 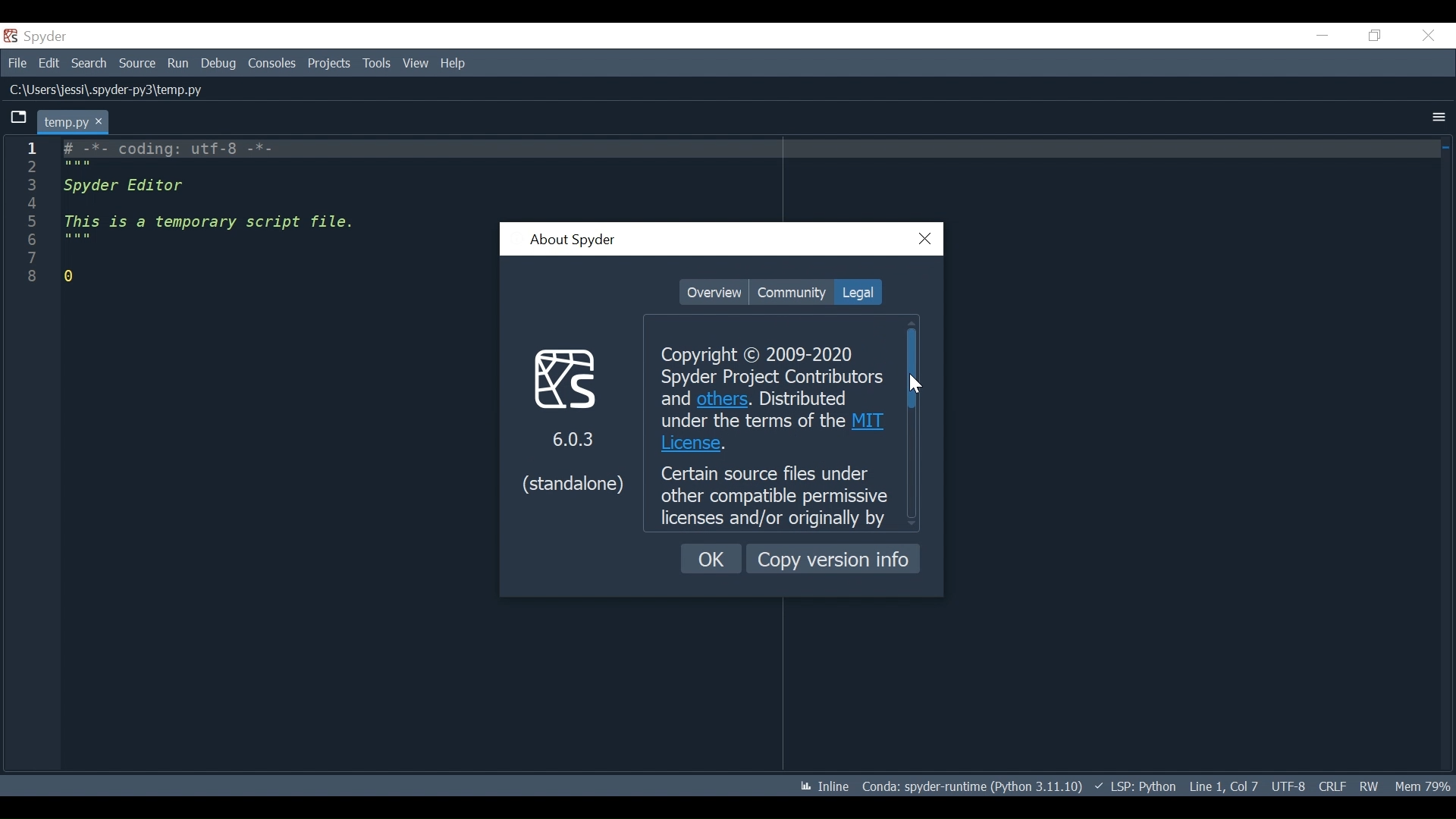 I want to click on RW, so click(x=1368, y=786).